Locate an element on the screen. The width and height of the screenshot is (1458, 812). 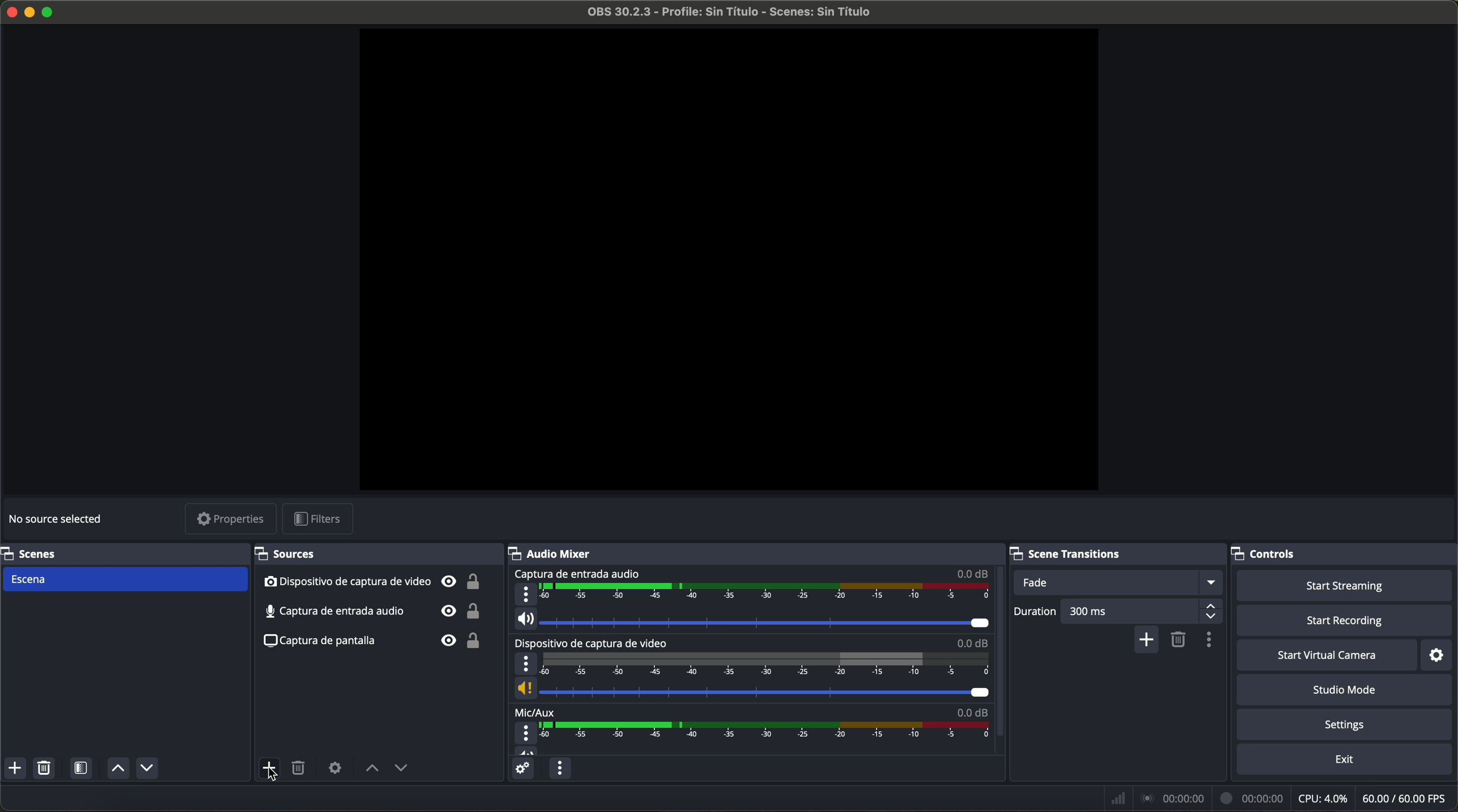
filters is located at coordinates (317, 519).